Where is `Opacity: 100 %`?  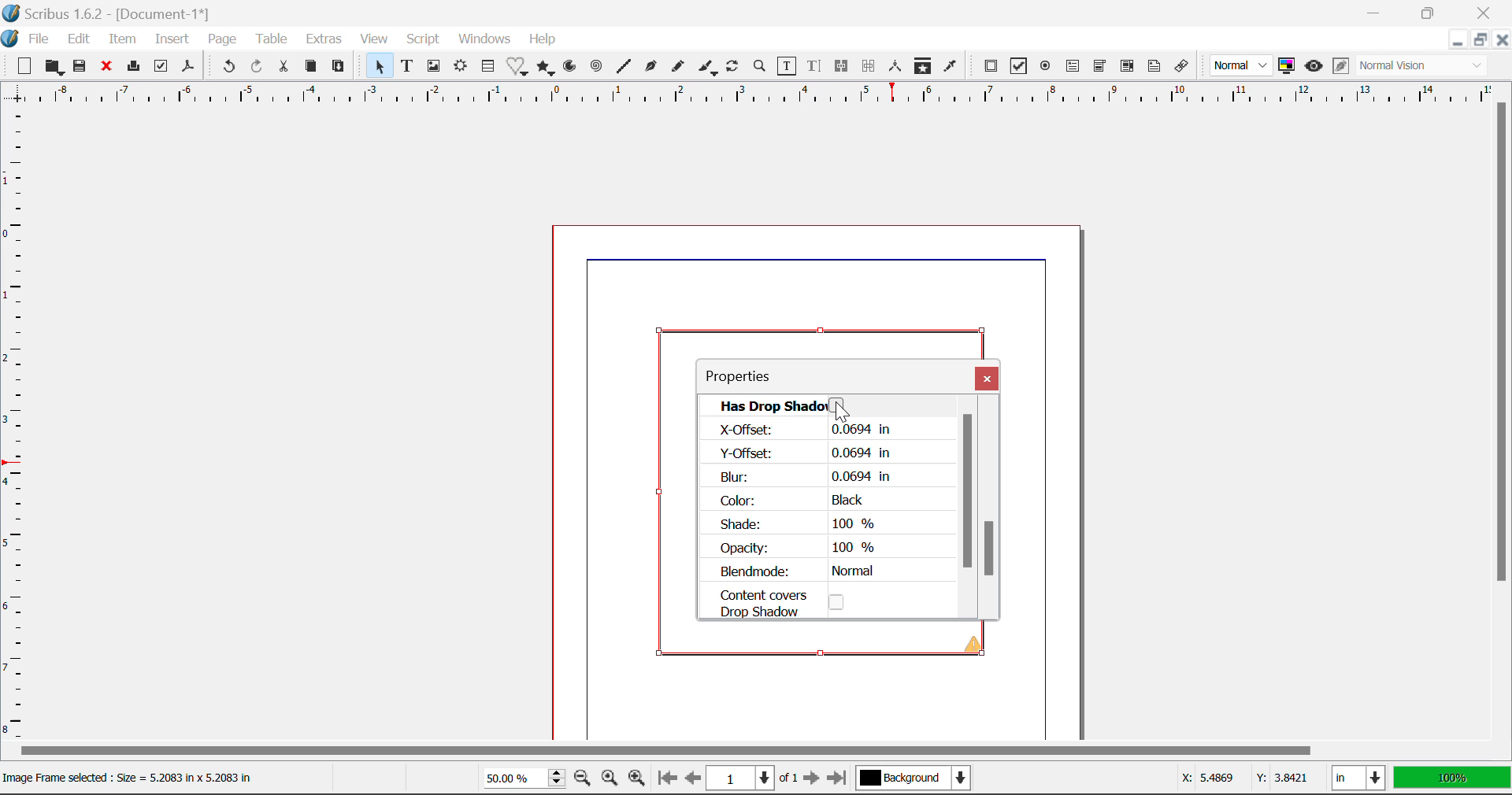
Opacity: 100 % is located at coordinates (803, 549).